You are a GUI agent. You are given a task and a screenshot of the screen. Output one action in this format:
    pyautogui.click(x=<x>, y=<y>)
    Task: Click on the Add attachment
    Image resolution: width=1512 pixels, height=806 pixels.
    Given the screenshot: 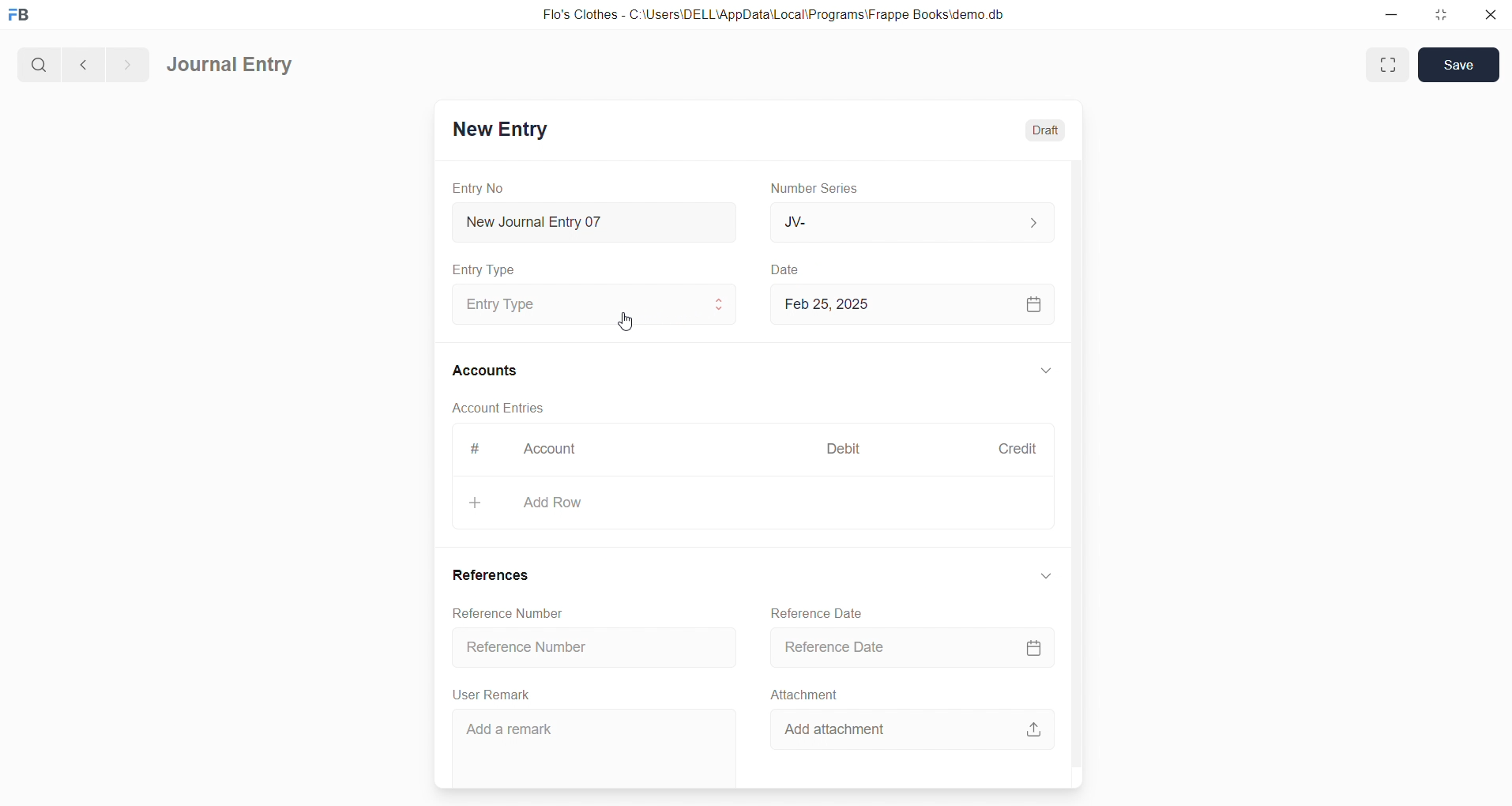 What is the action you would take?
    pyautogui.click(x=911, y=729)
    